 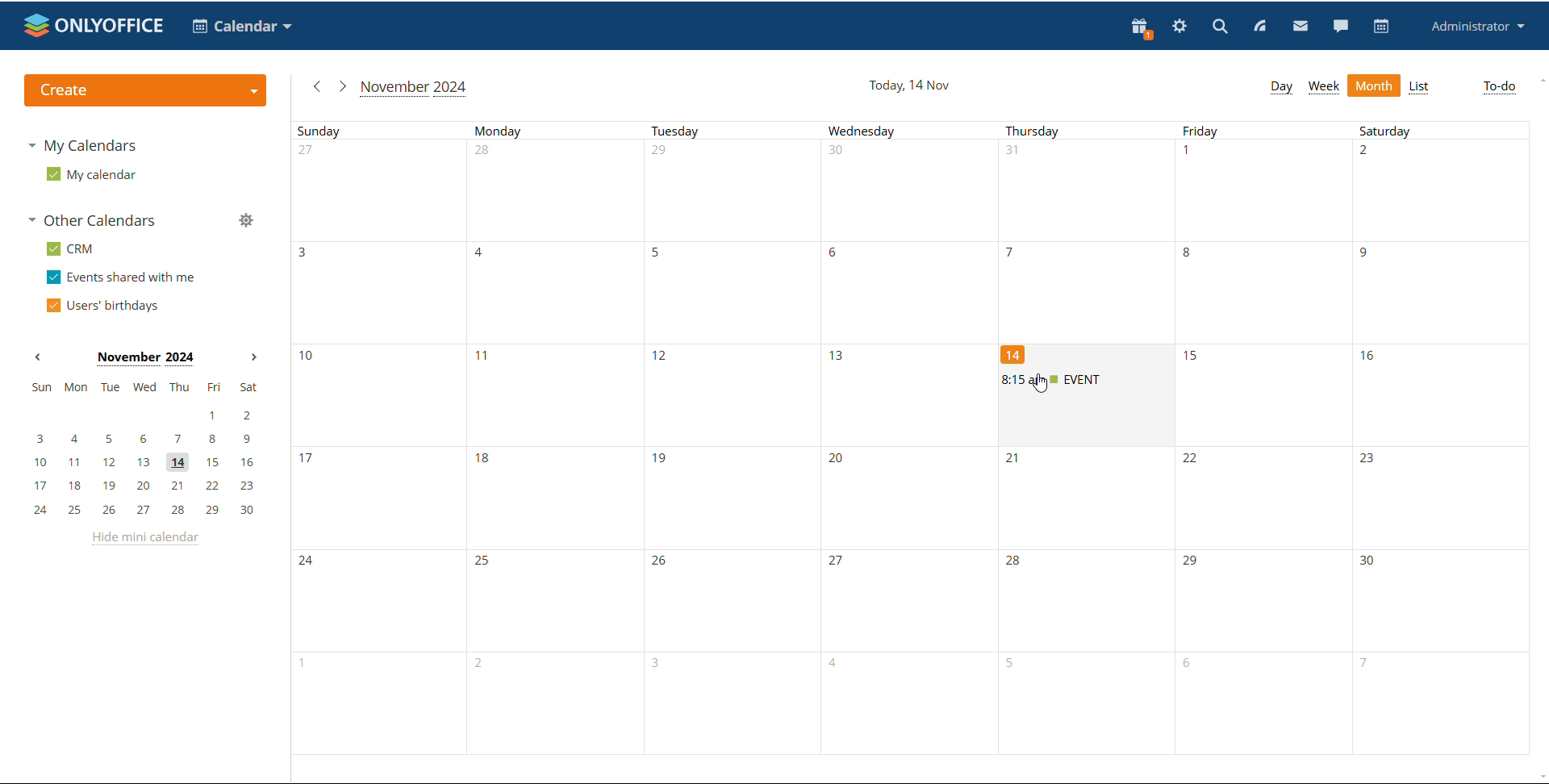 I want to click on my calendar, so click(x=92, y=173).